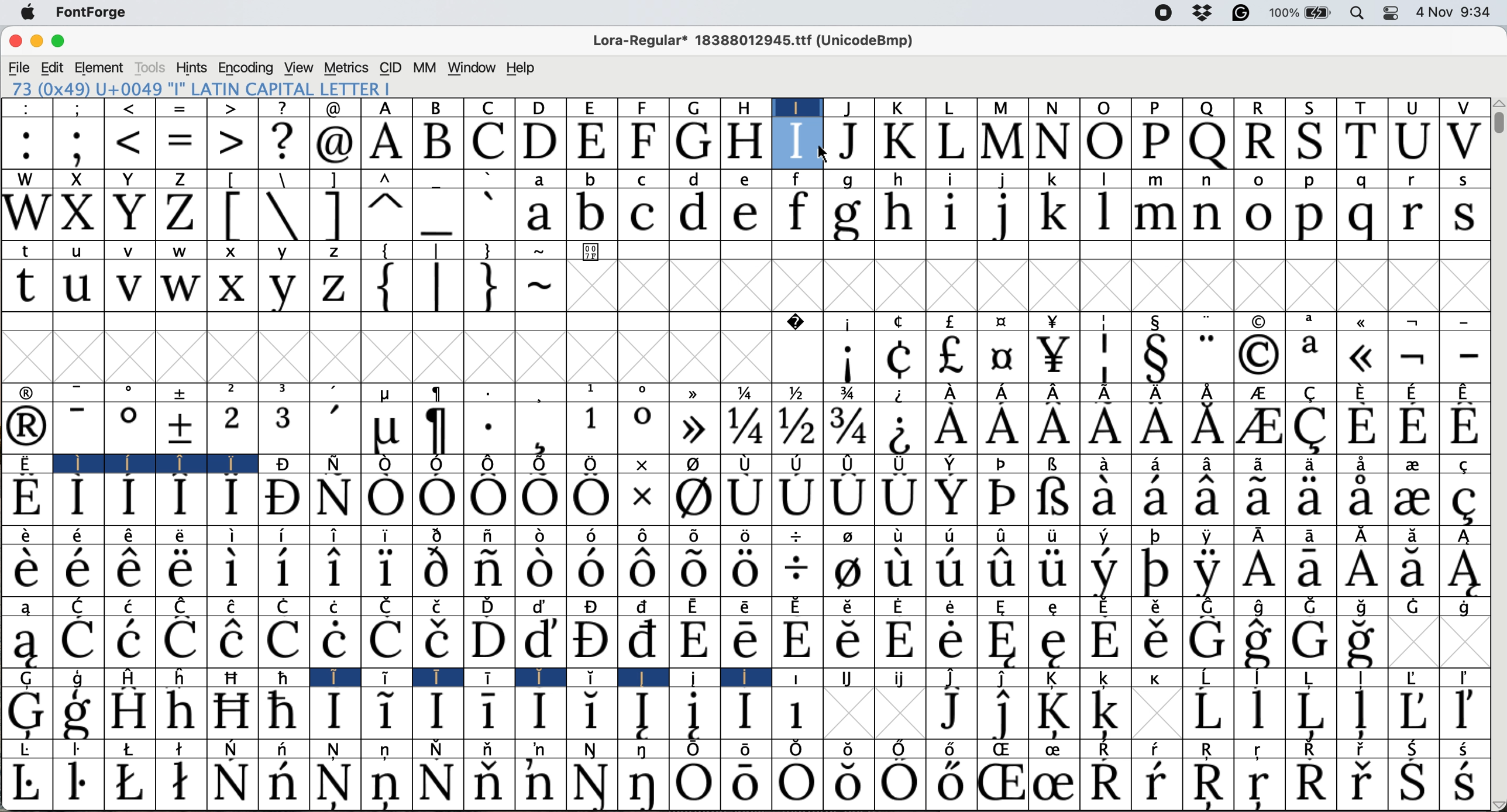 The height and width of the screenshot is (812, 1507). What do you see at coordinates (129, 180) in the screenshot?
I see `Y` at bounding box center [129, 180].